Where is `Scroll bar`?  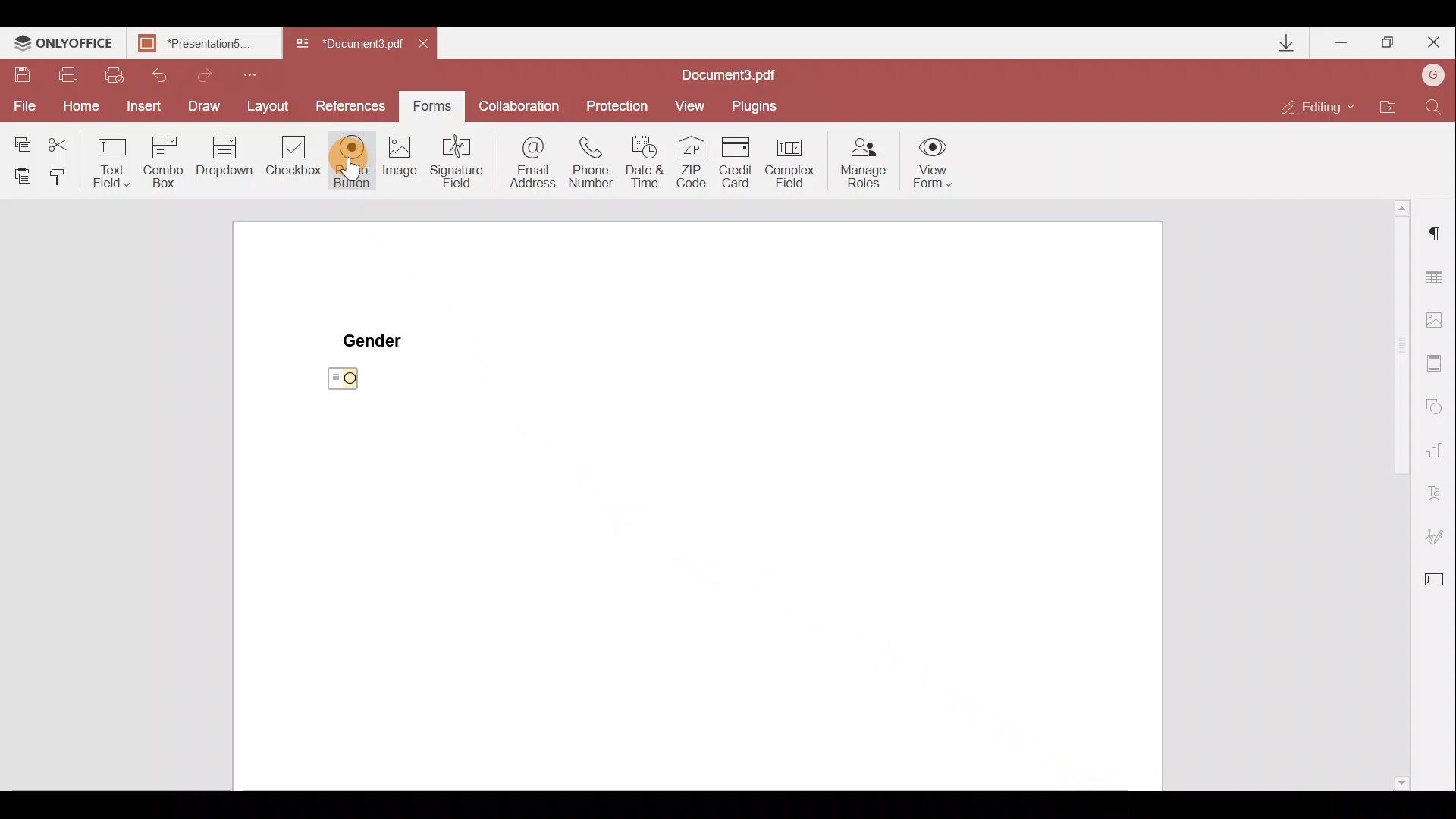
Scroll bar is located at coordinates (1389, 496).